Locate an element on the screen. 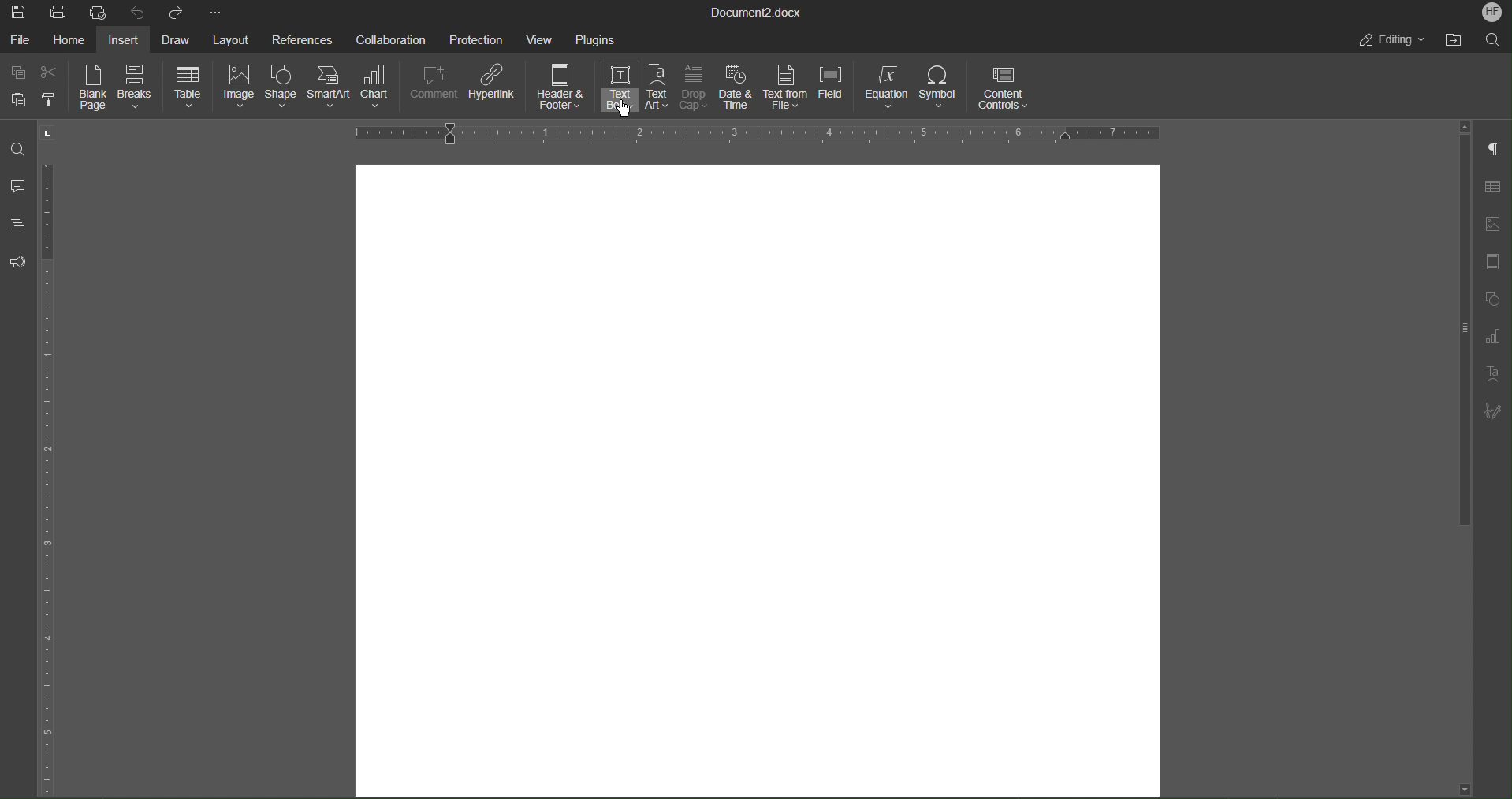 This screenshot has height=799, width=1512. Comments is located at coordinates (19, 186).